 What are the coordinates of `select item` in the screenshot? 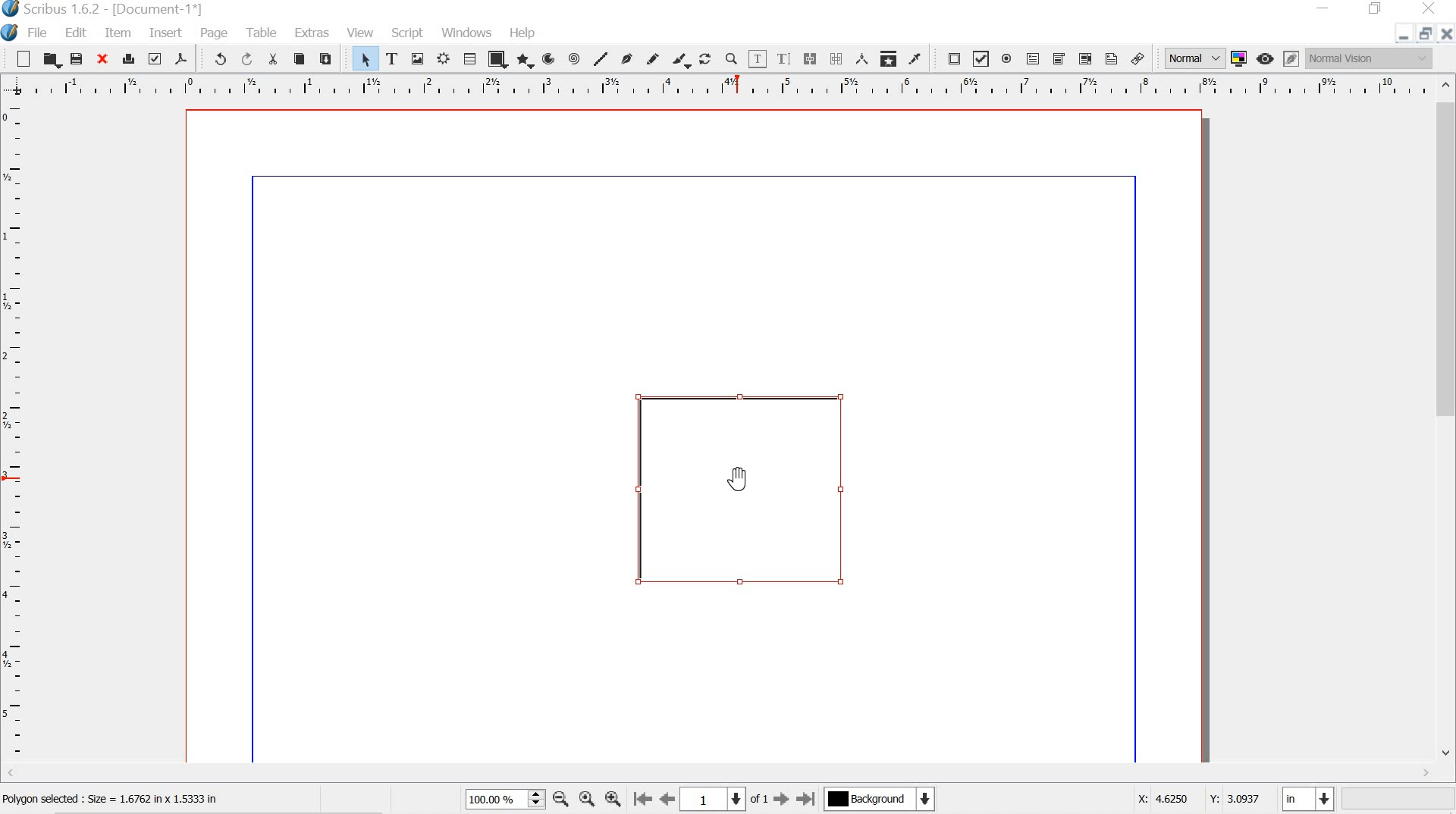 It's located at (366, 59).